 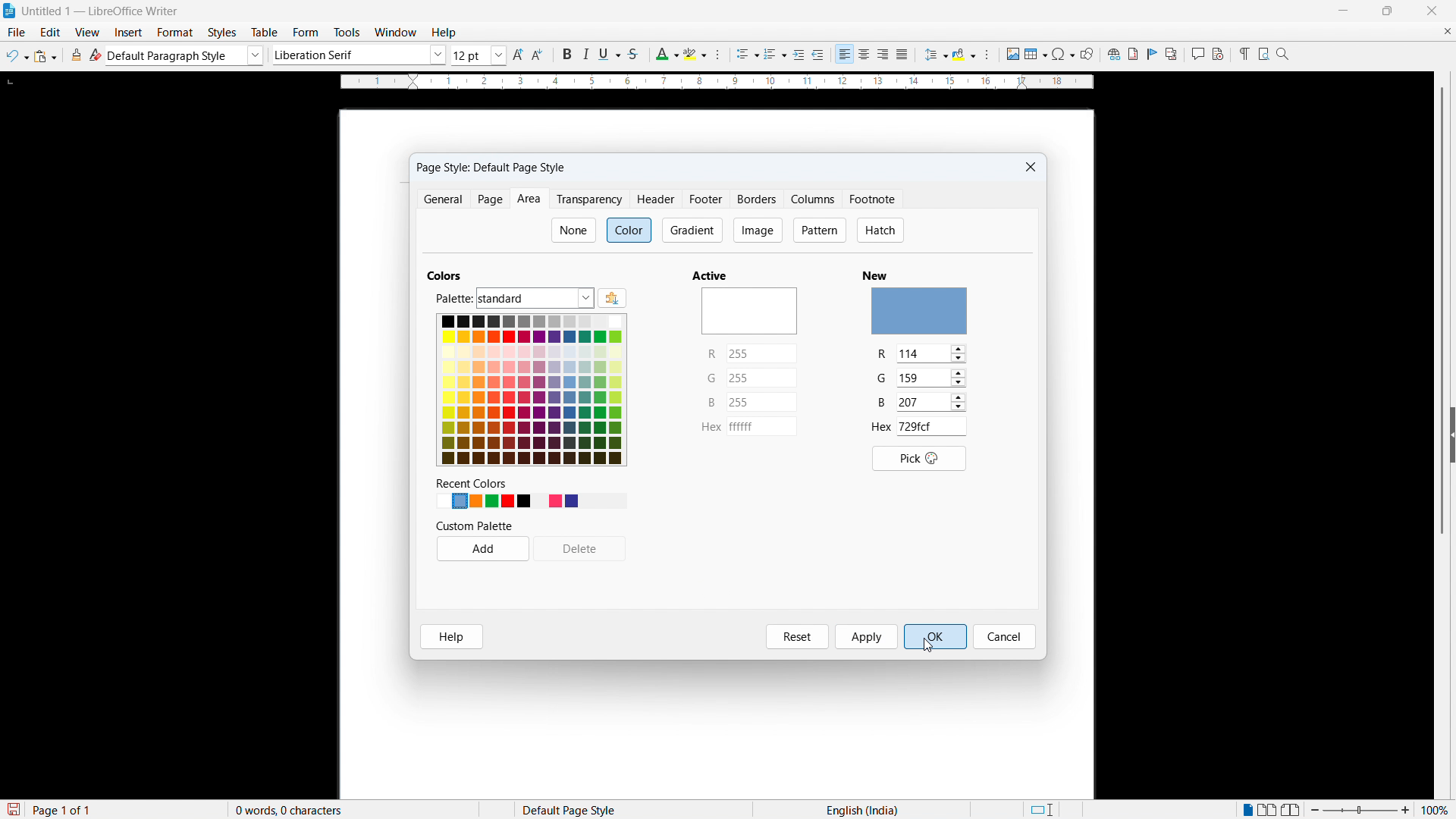 What do you see at coordinates (1036, 54) in the screenshot?
I see `Add table ` at bounding box center [1036, 54].